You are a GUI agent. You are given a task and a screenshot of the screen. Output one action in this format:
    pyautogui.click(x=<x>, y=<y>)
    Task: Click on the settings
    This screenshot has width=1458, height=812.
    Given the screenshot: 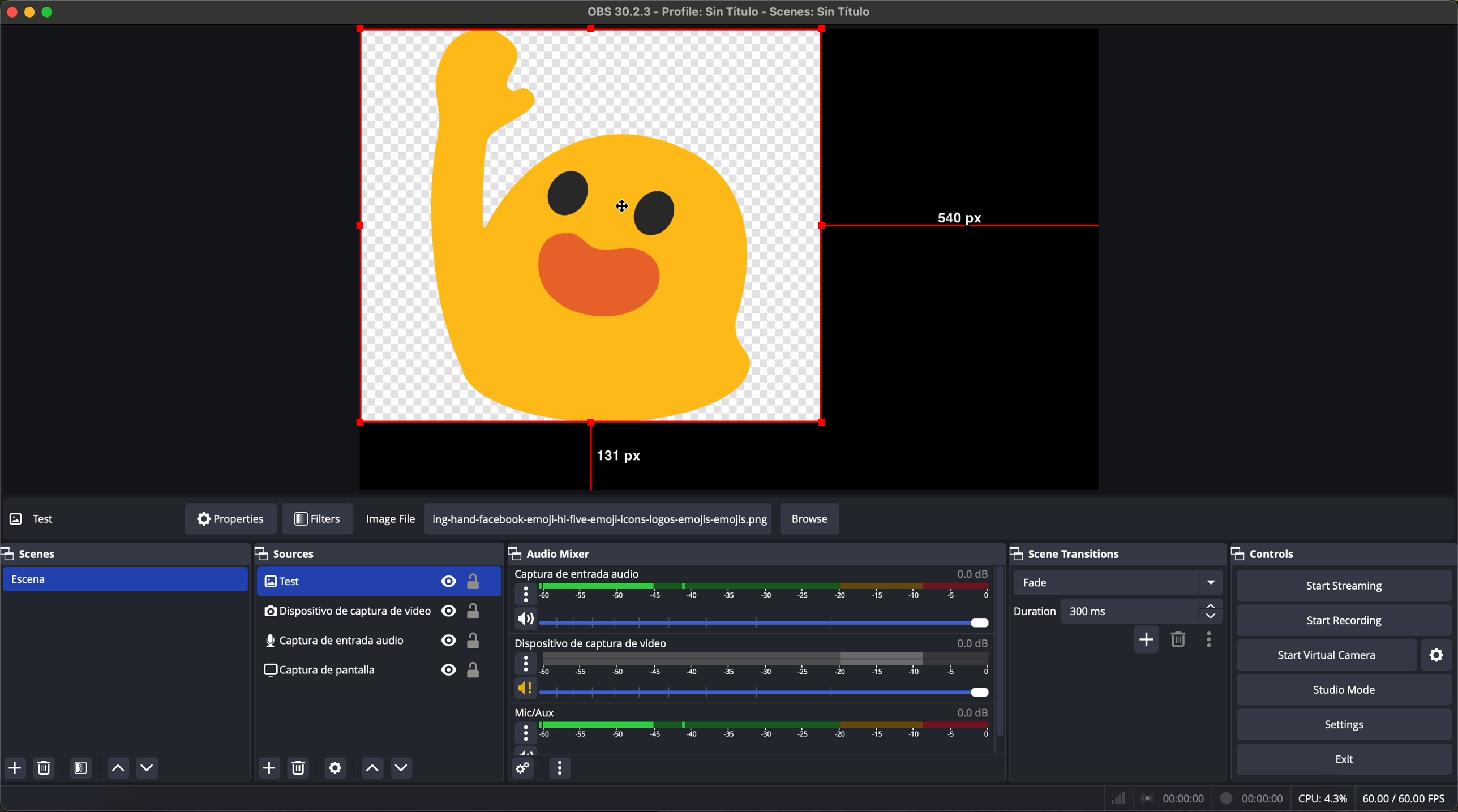 What is the action you would take?
    pyautogui.click(x=1442, y=654)
    